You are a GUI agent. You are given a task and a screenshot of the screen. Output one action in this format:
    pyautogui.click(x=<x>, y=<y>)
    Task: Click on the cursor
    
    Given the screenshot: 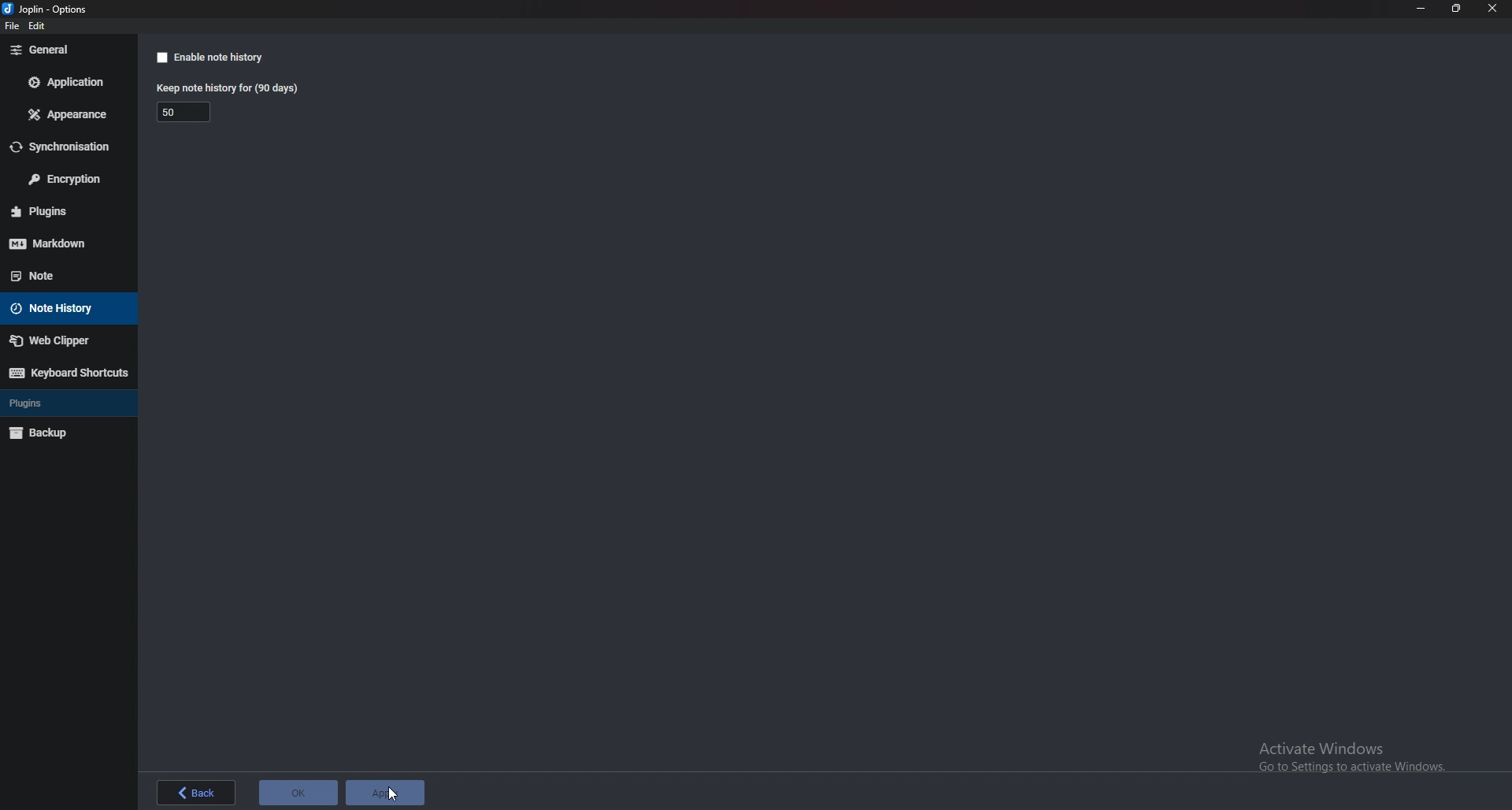 What is the action you would take?
    pyautogui.click(x=393, y=794)
    